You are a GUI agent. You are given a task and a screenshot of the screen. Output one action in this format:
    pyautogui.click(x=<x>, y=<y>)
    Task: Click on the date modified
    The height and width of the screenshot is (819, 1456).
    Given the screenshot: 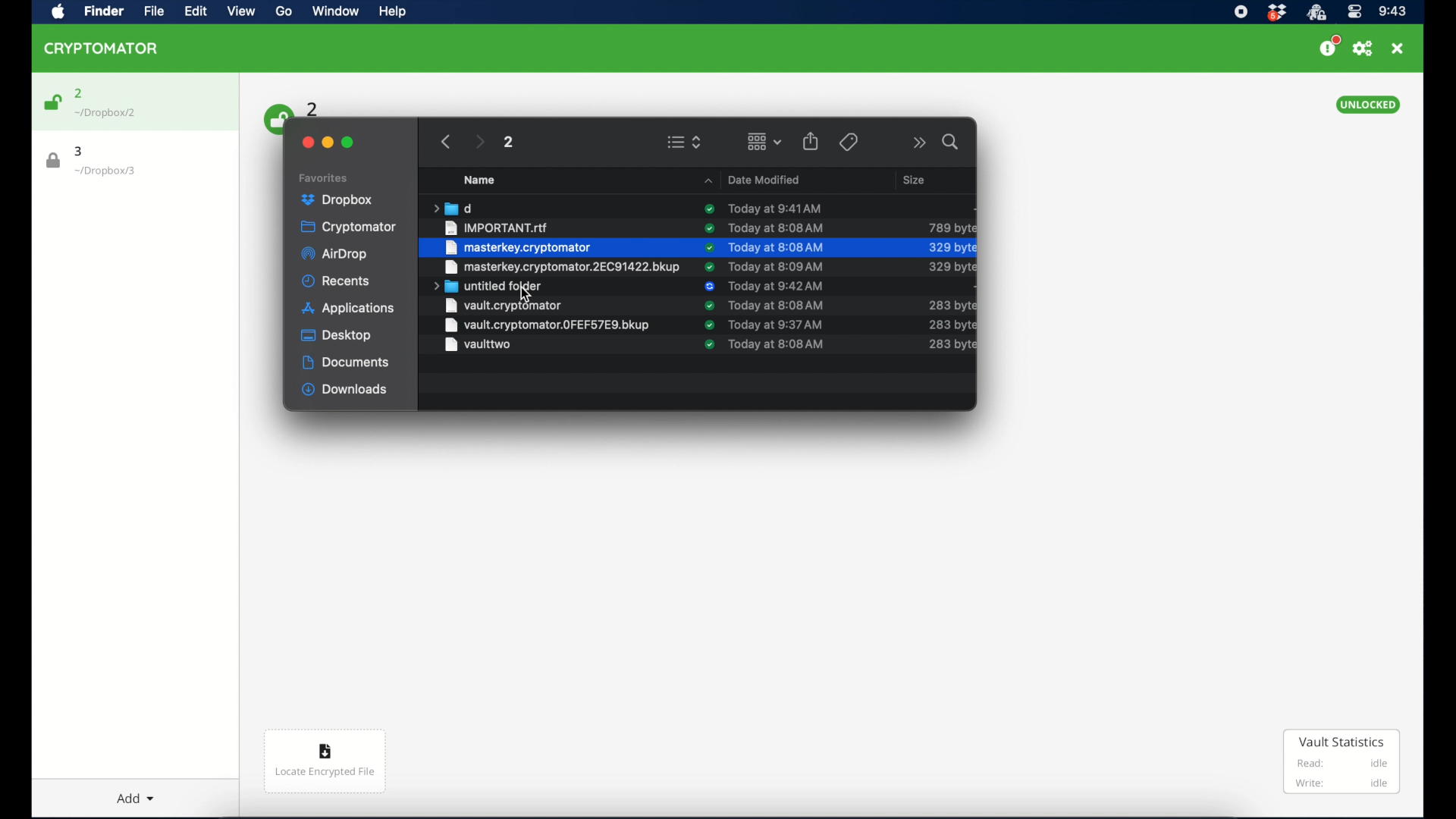 What is the action you would take?
    pyautogui.click(x=752, y=179)
    